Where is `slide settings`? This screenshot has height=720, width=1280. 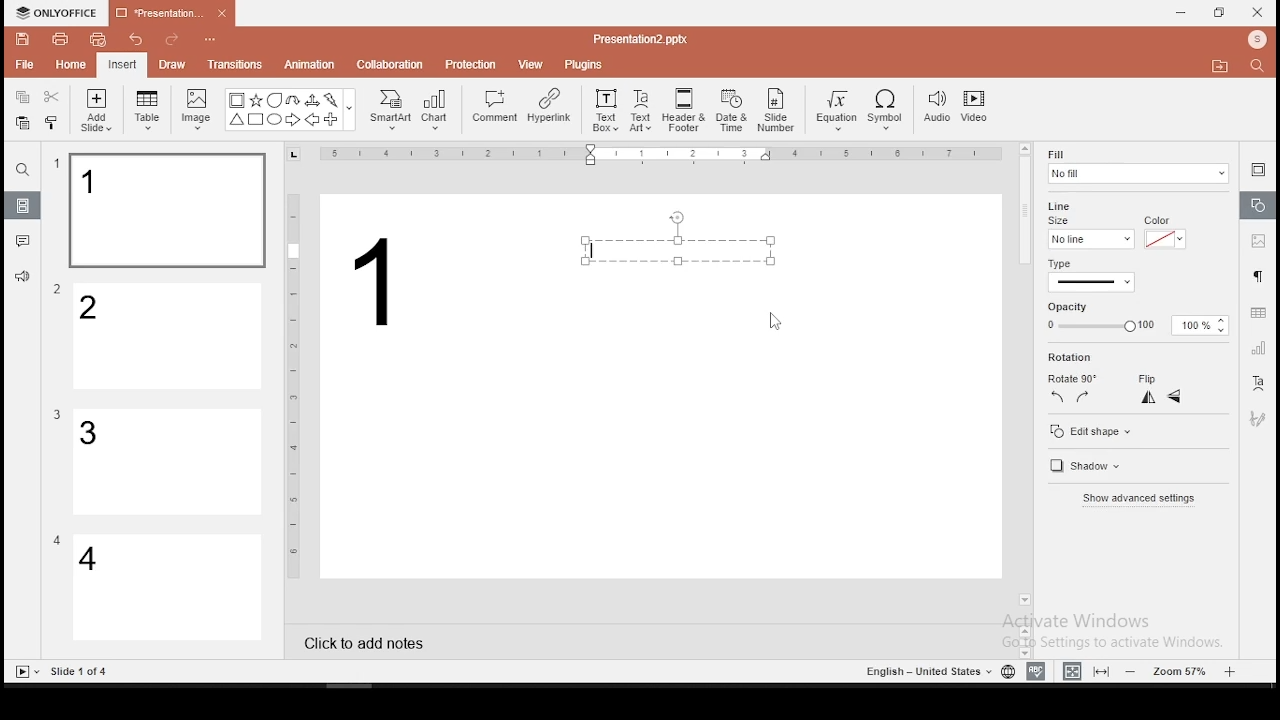
slide settings is located at coordinates (1258, 169).